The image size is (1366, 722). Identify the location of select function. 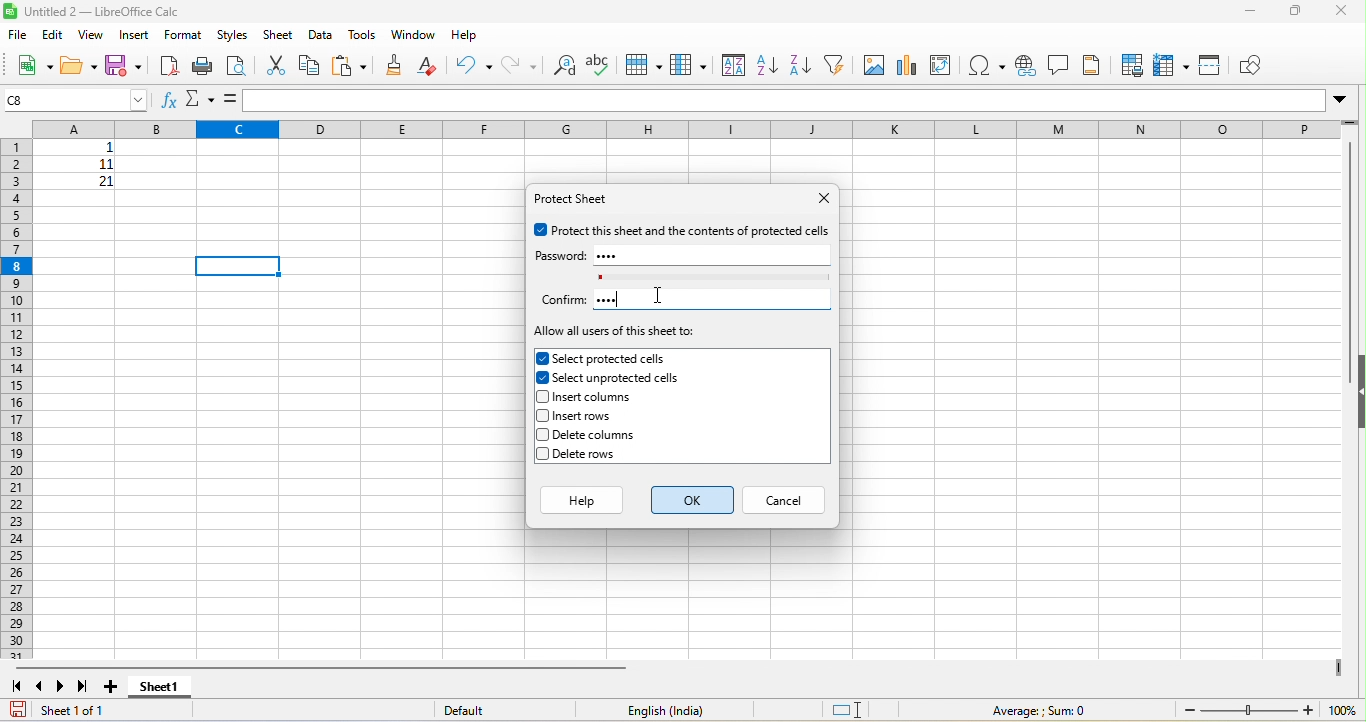
(201, 99).